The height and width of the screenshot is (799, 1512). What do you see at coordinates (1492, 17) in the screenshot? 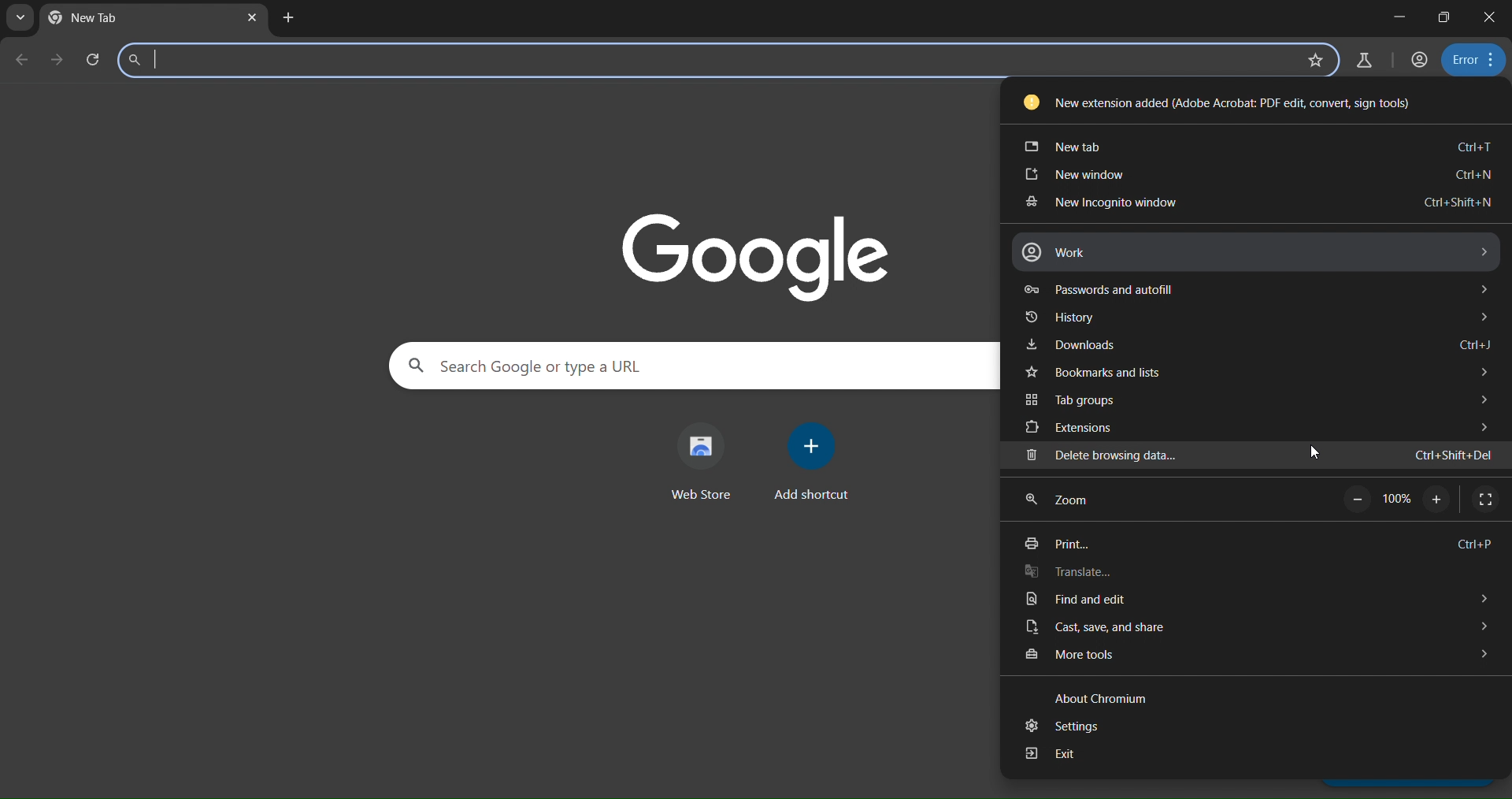
I see `close` at bounding box center [1492, 17].